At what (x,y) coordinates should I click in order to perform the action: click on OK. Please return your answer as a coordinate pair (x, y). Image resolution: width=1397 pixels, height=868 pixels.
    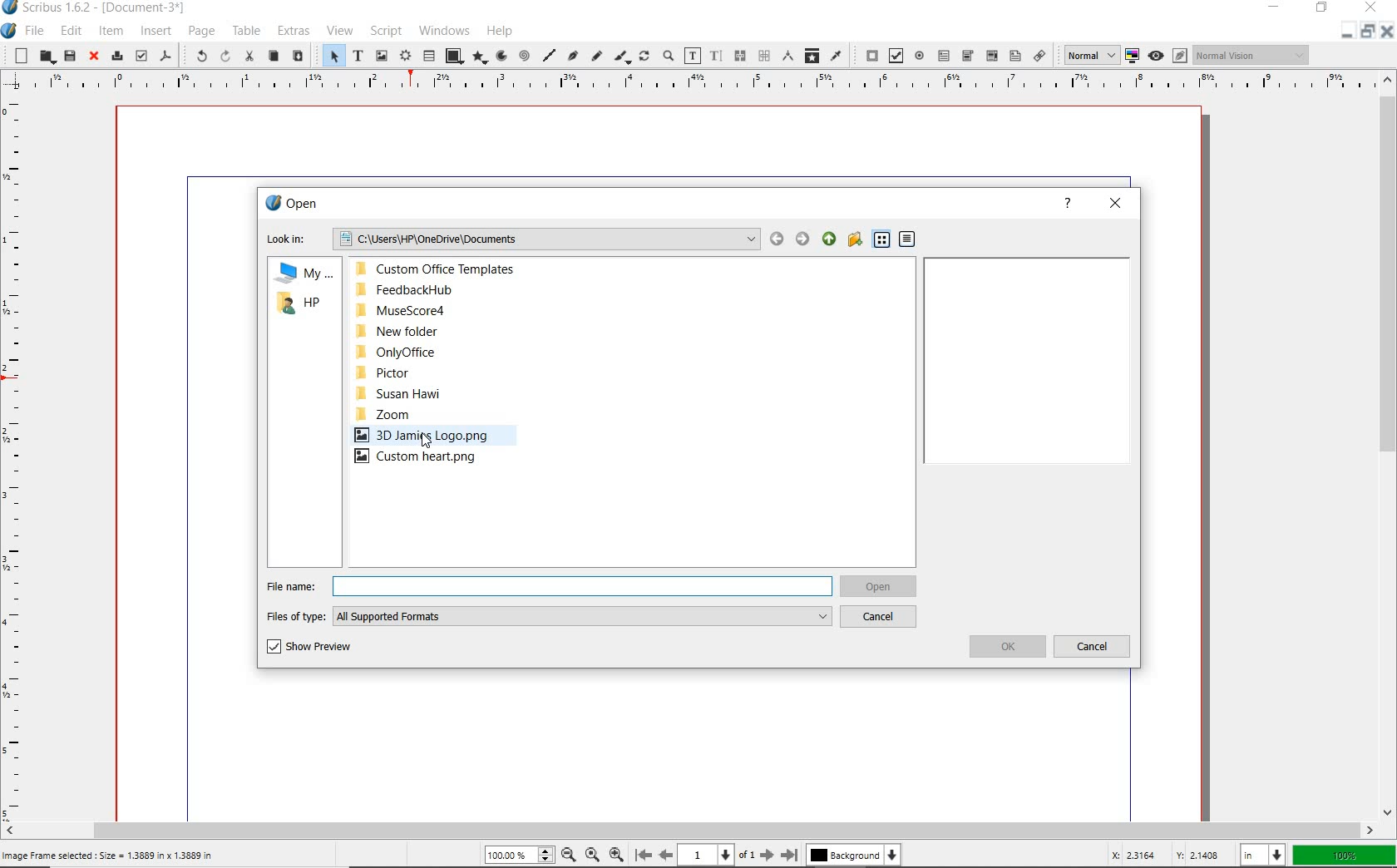
    Looking at the image, I should click on (1005, 648).